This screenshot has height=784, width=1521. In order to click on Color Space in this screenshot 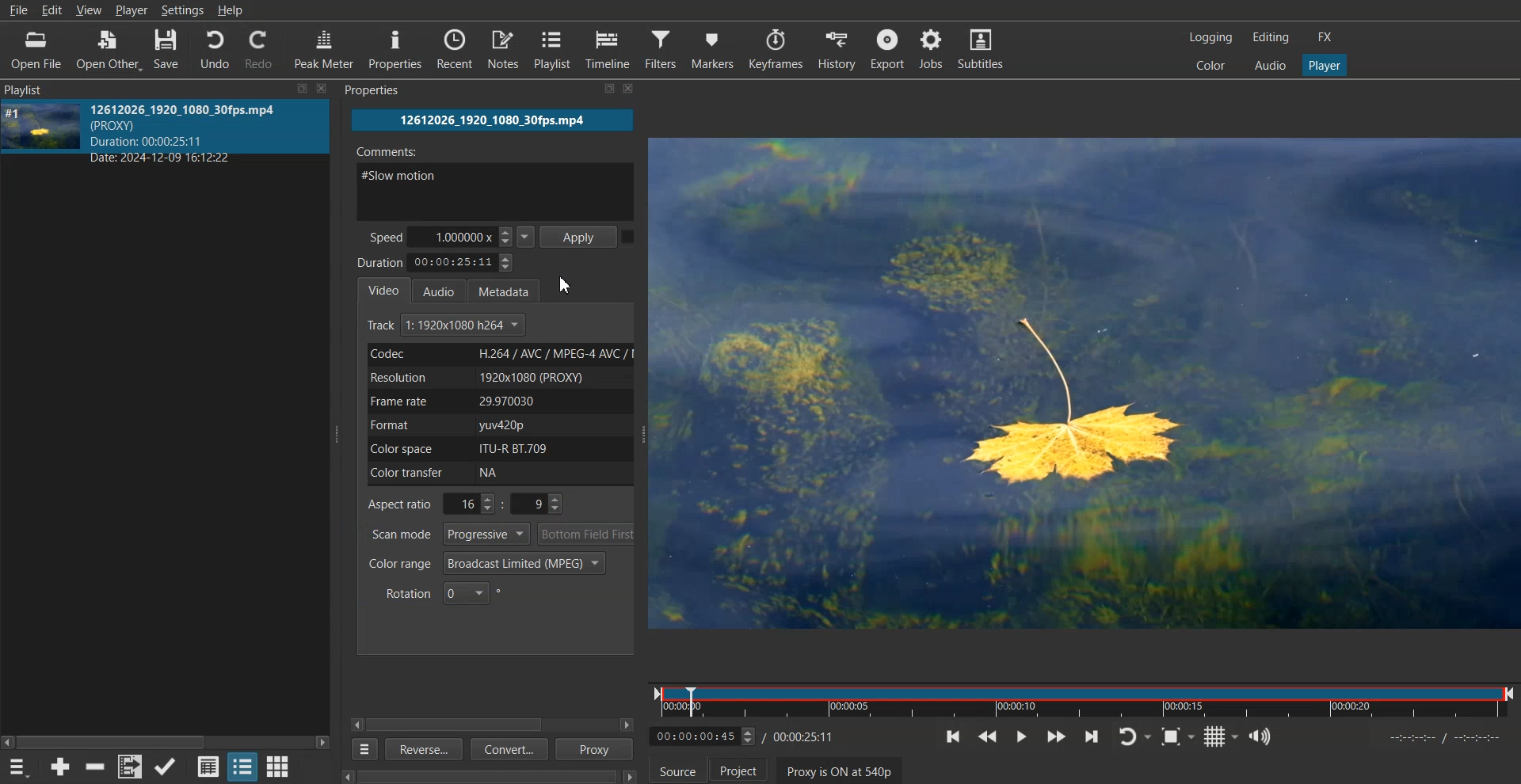, I will do `click(496, 448)`.